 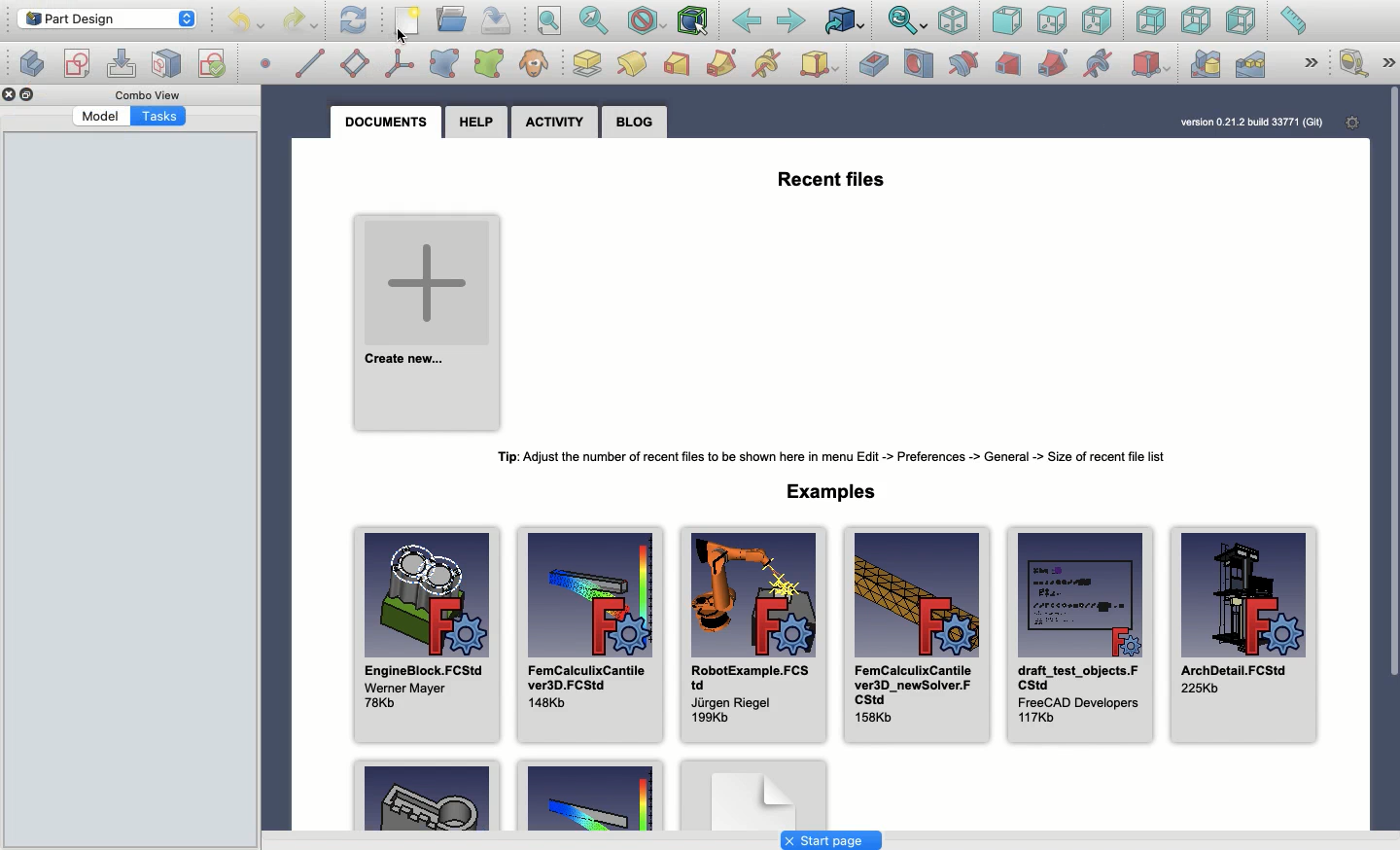 I want to click on Additive primitive, so click(x=822, y=66).